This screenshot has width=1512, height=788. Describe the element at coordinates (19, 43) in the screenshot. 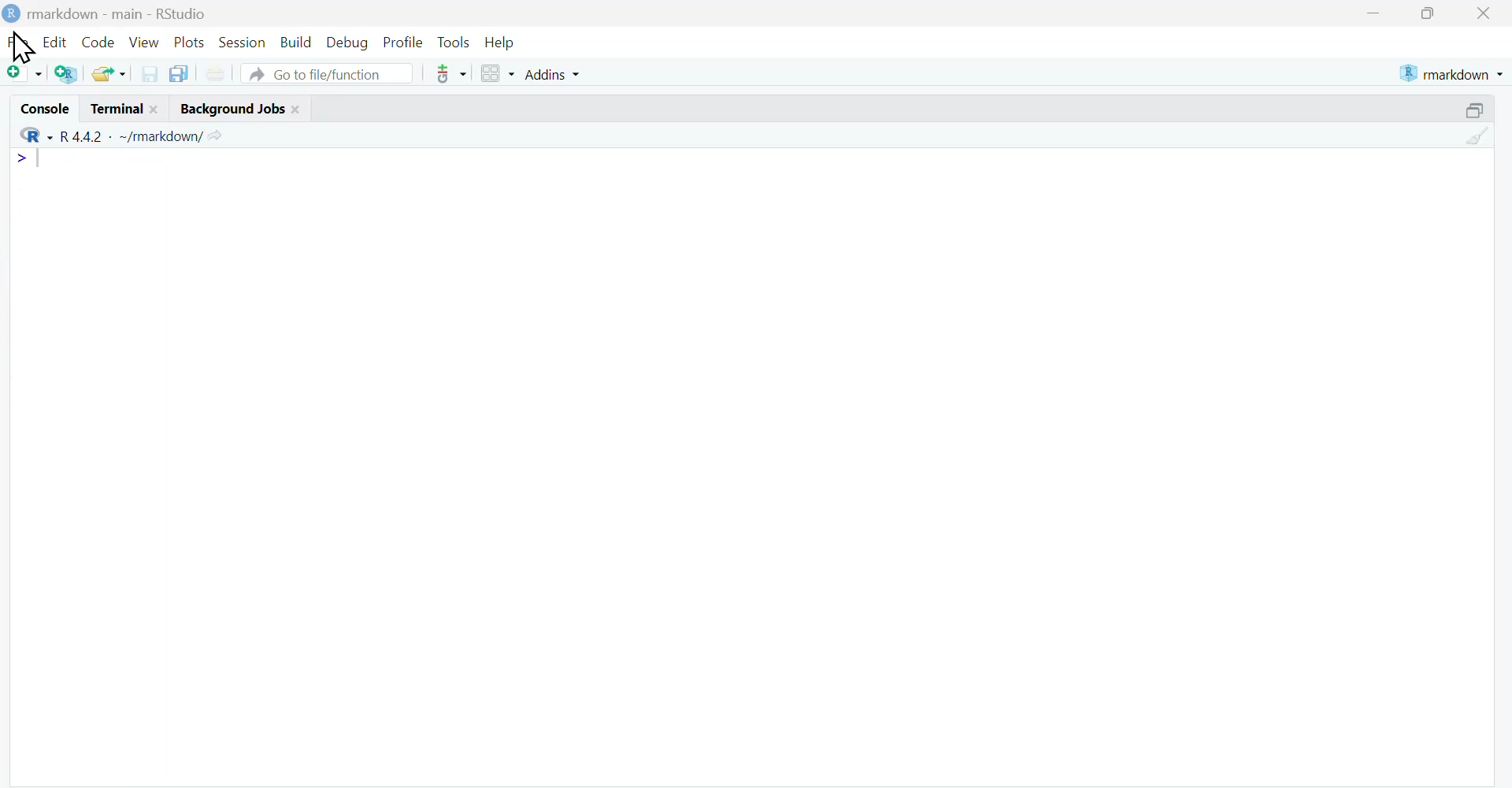

I see `File` at that location.